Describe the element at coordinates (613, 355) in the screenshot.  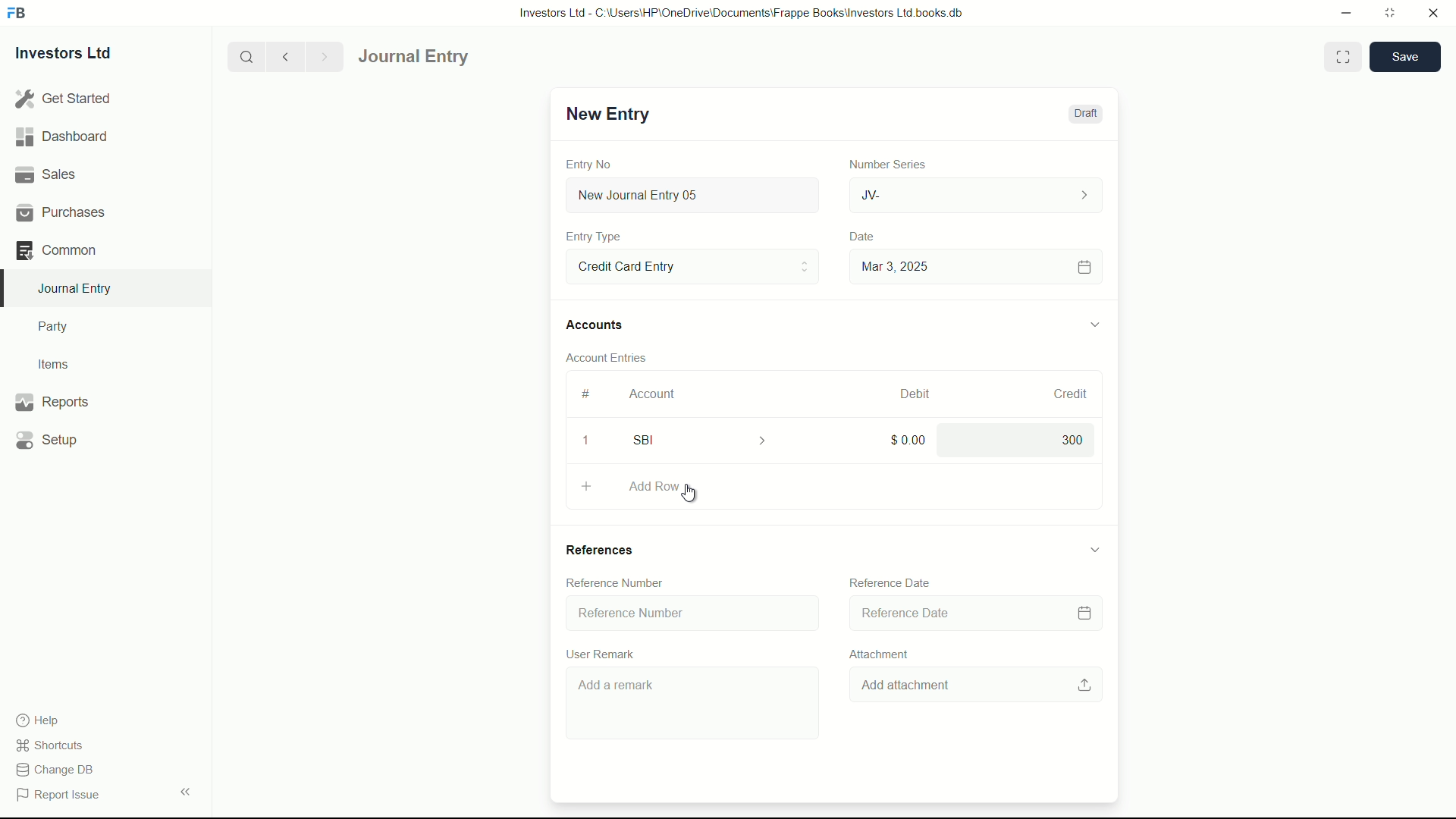
I see `Account Entries` at that location.